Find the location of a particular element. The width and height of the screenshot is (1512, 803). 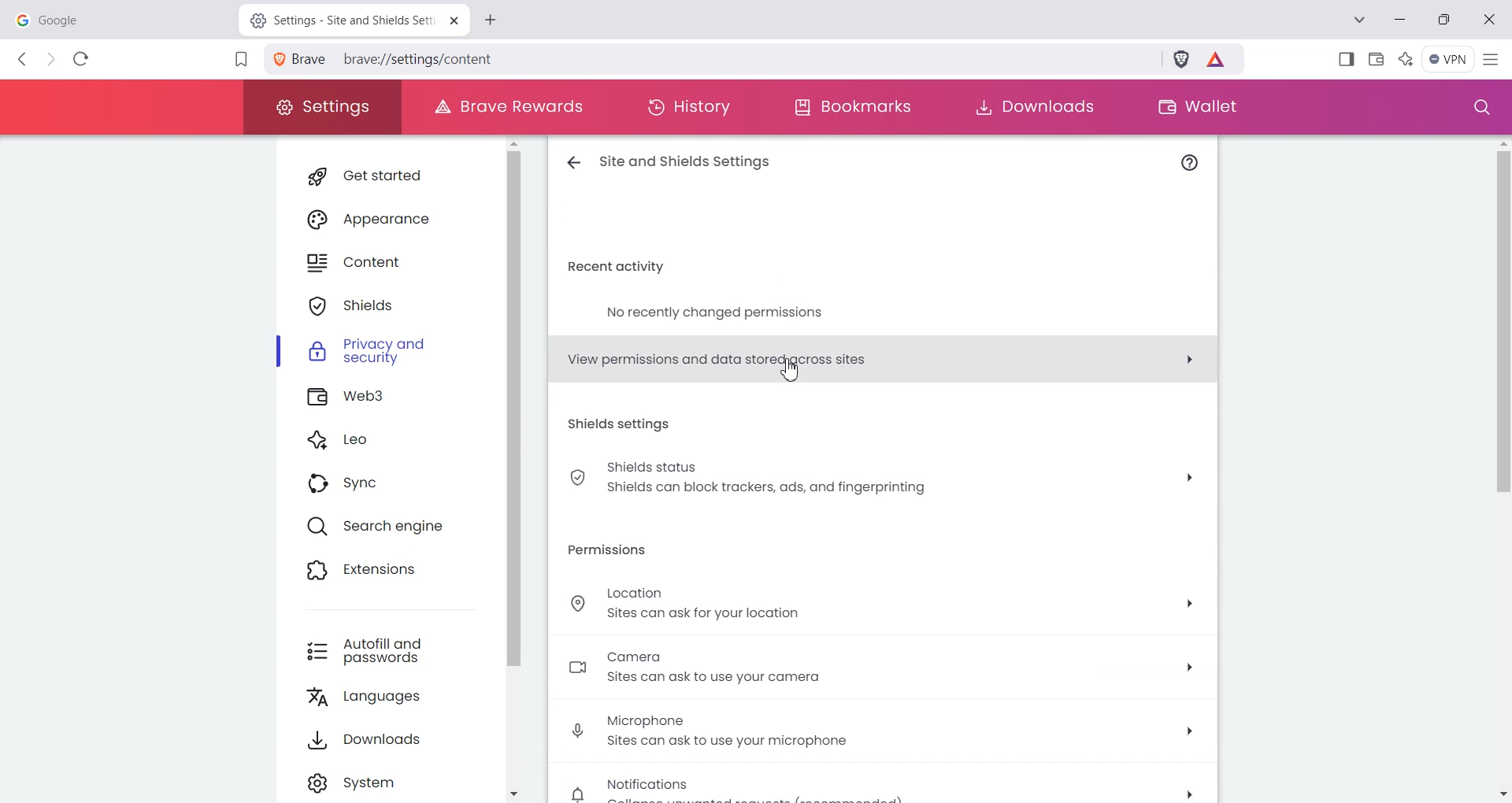

Extensions is located at coordinates (387, 572).